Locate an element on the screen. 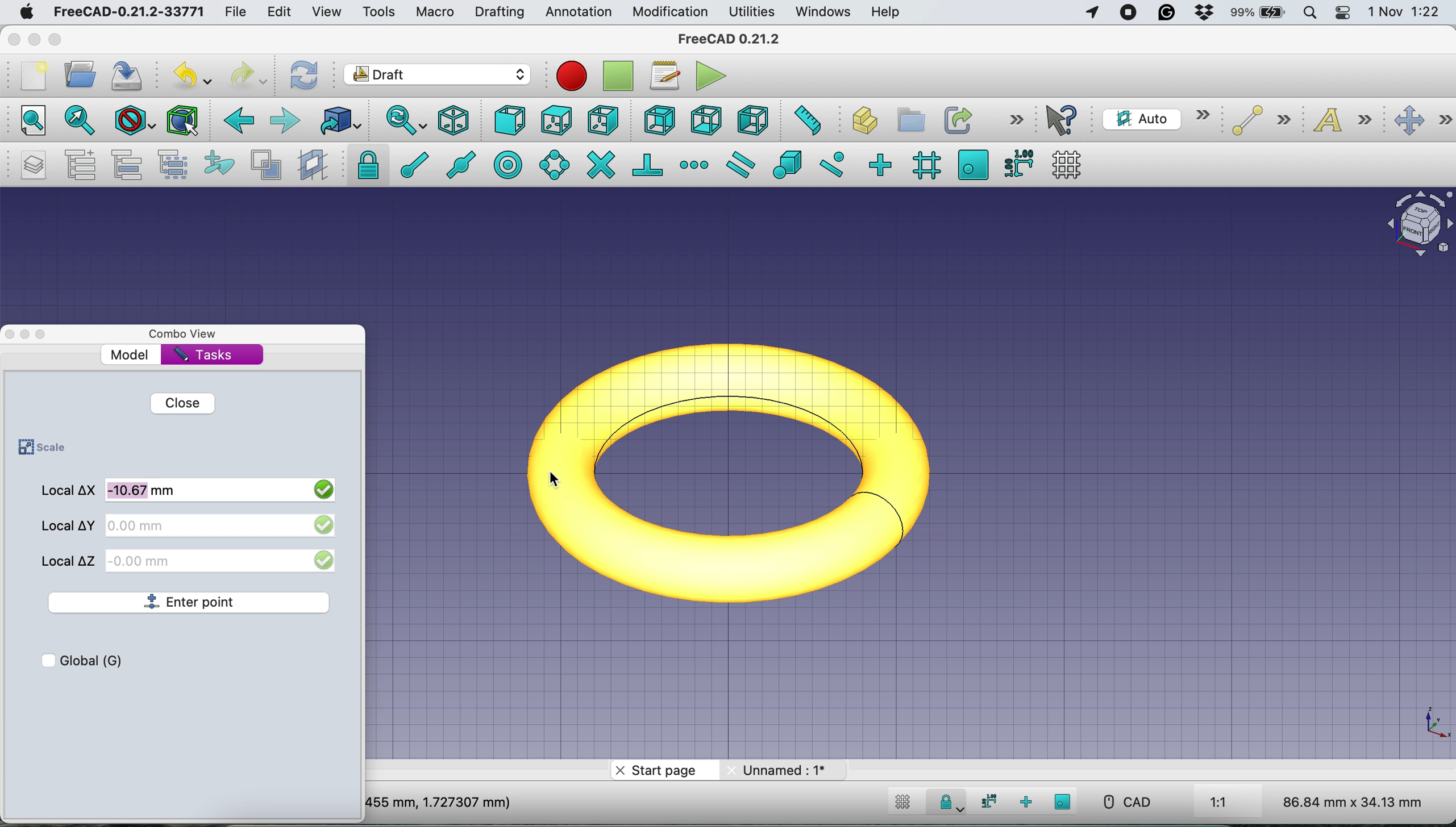 Image resolution: width=1456 pixels, height=827 pixels. right is located at coordinates (602, 122).